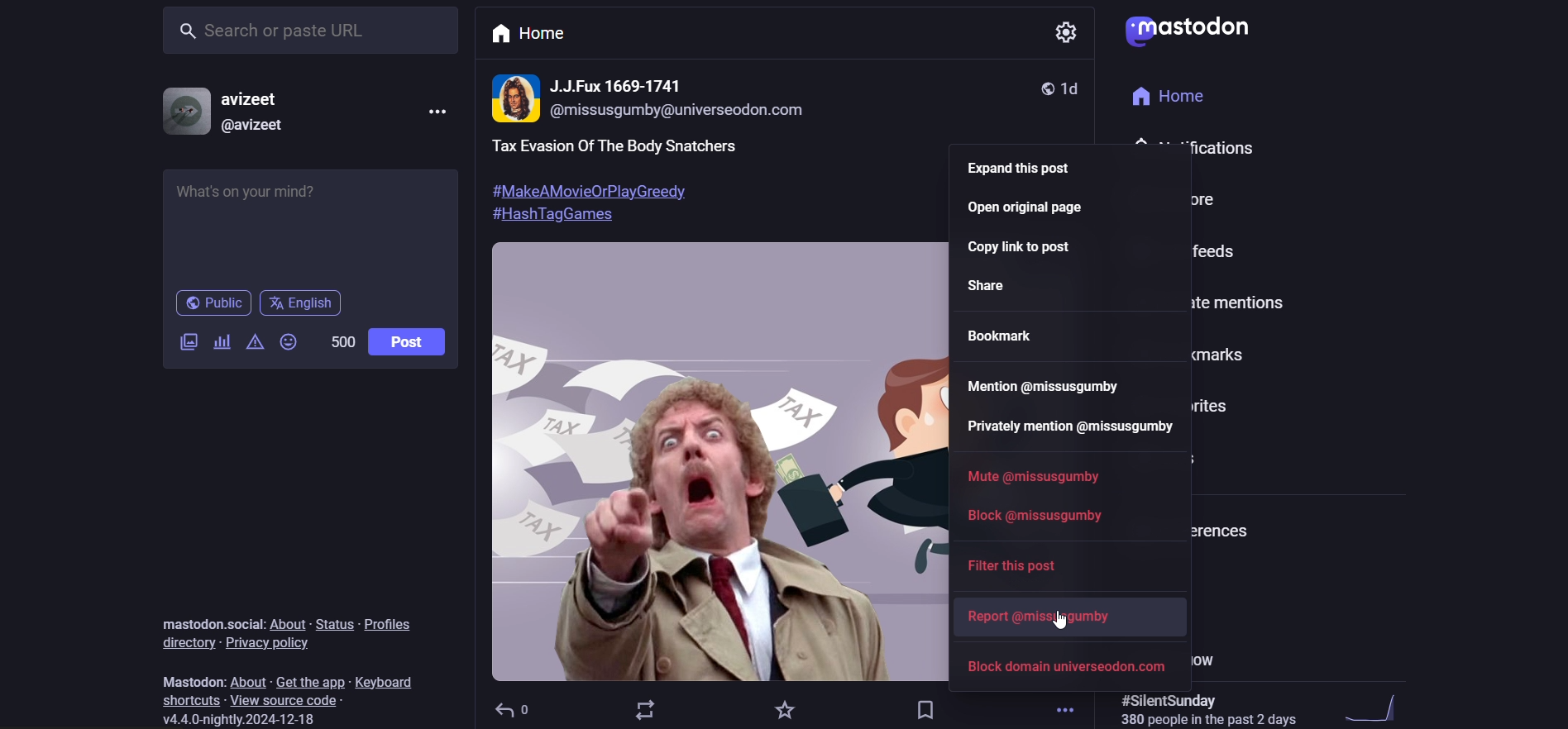 This screenshot has width=1568, height=729. What do you see at coordinates (1058, 388) in the screenshot?
I see `mention` at bounding box center [1058, 388].